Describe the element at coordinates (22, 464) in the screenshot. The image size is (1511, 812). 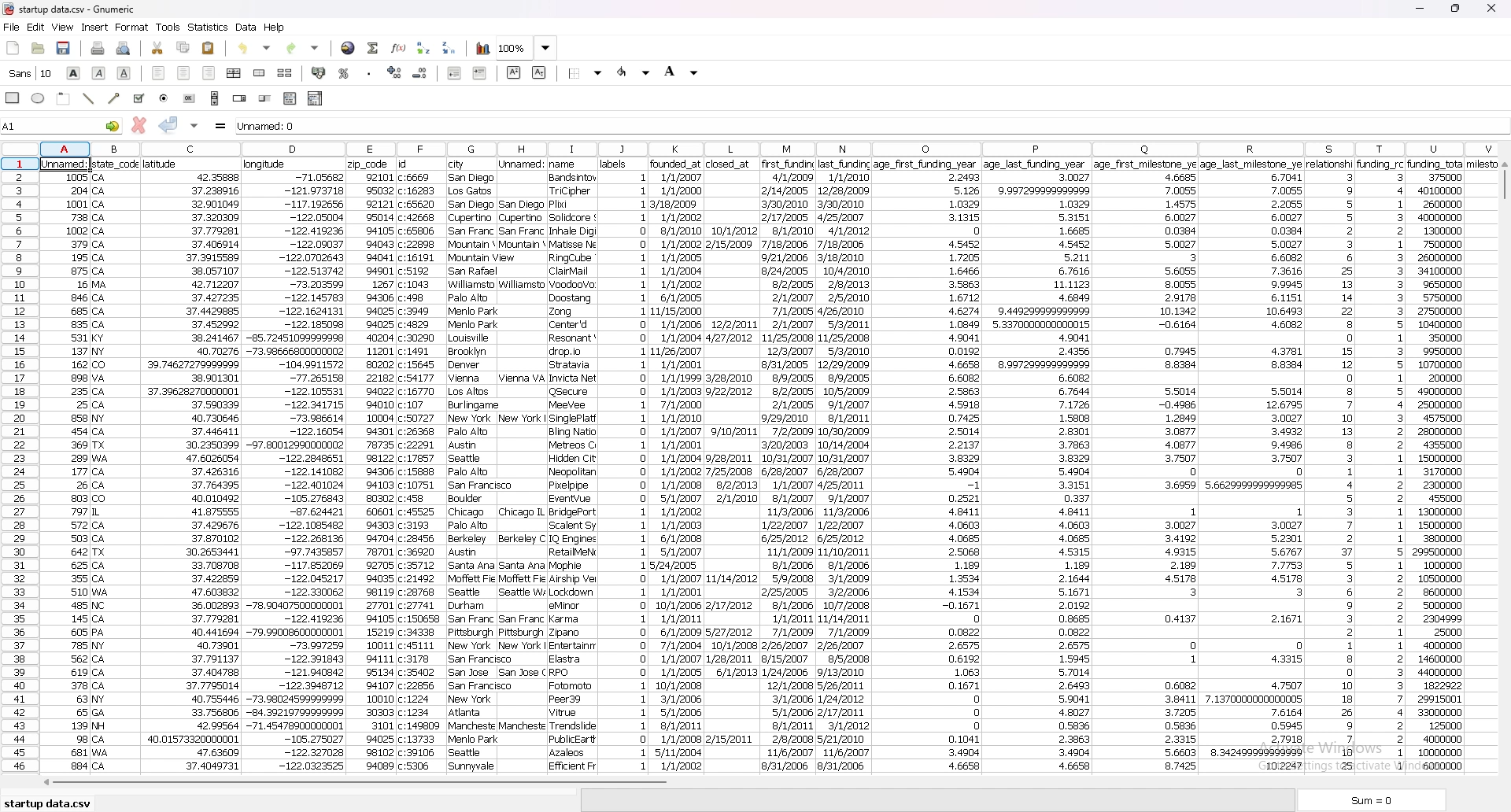
I see `rows` at that location.